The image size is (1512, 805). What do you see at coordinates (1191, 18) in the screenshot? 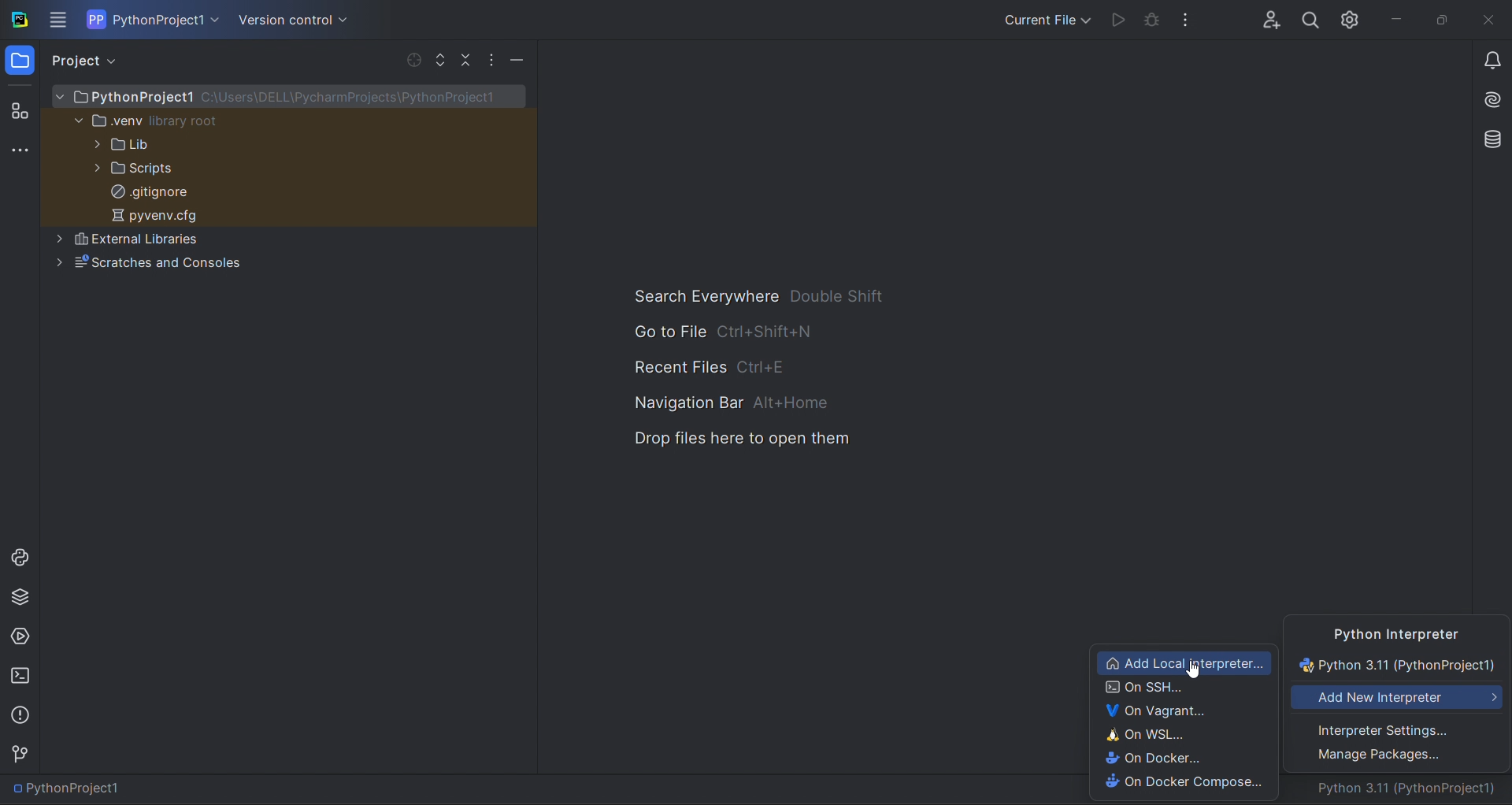
I see `more actions` at bounding box center [1191, 18].